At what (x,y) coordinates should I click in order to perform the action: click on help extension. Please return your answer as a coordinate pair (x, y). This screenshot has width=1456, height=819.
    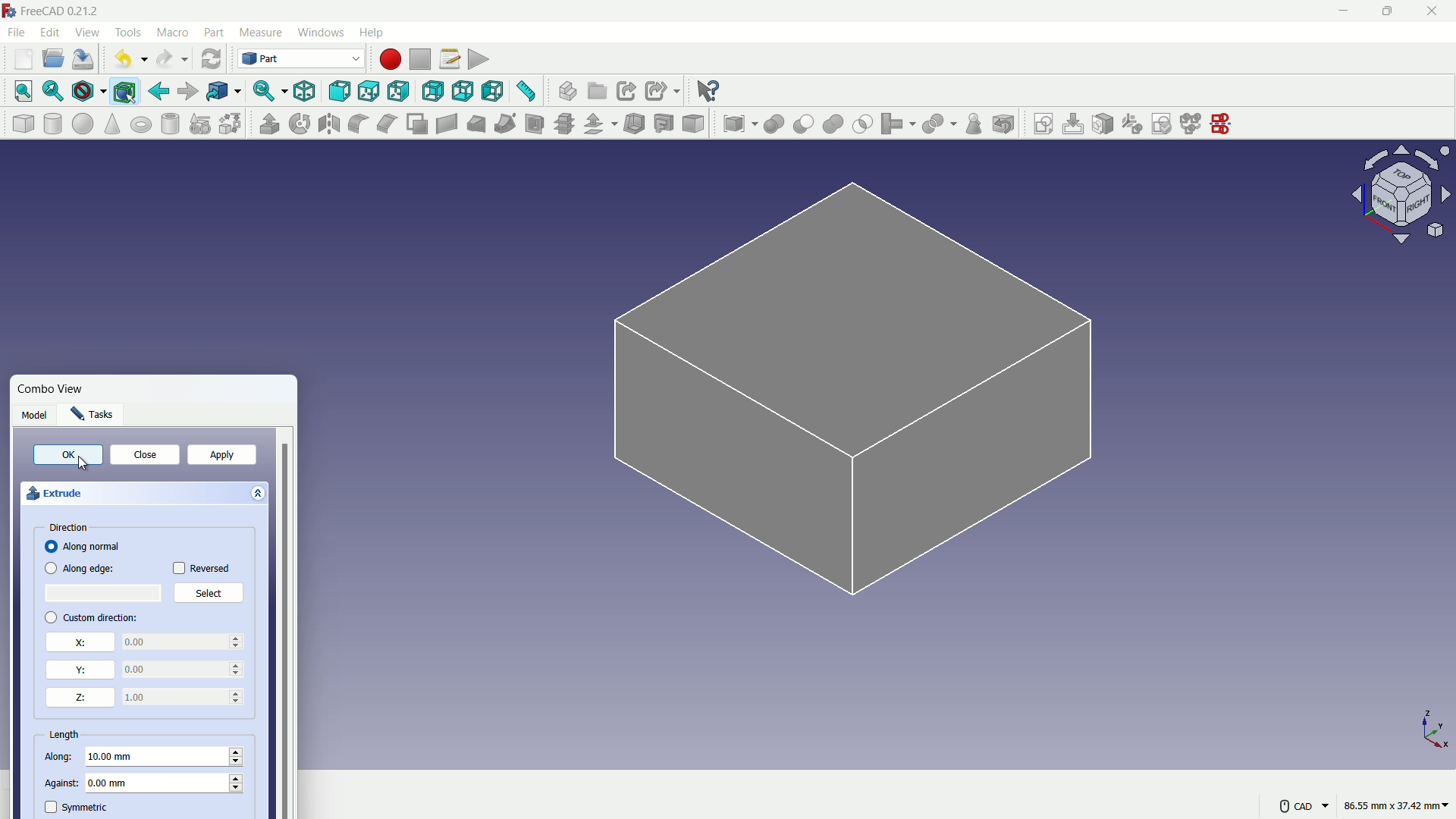
    Looking at the image, I should click on (707, 90).